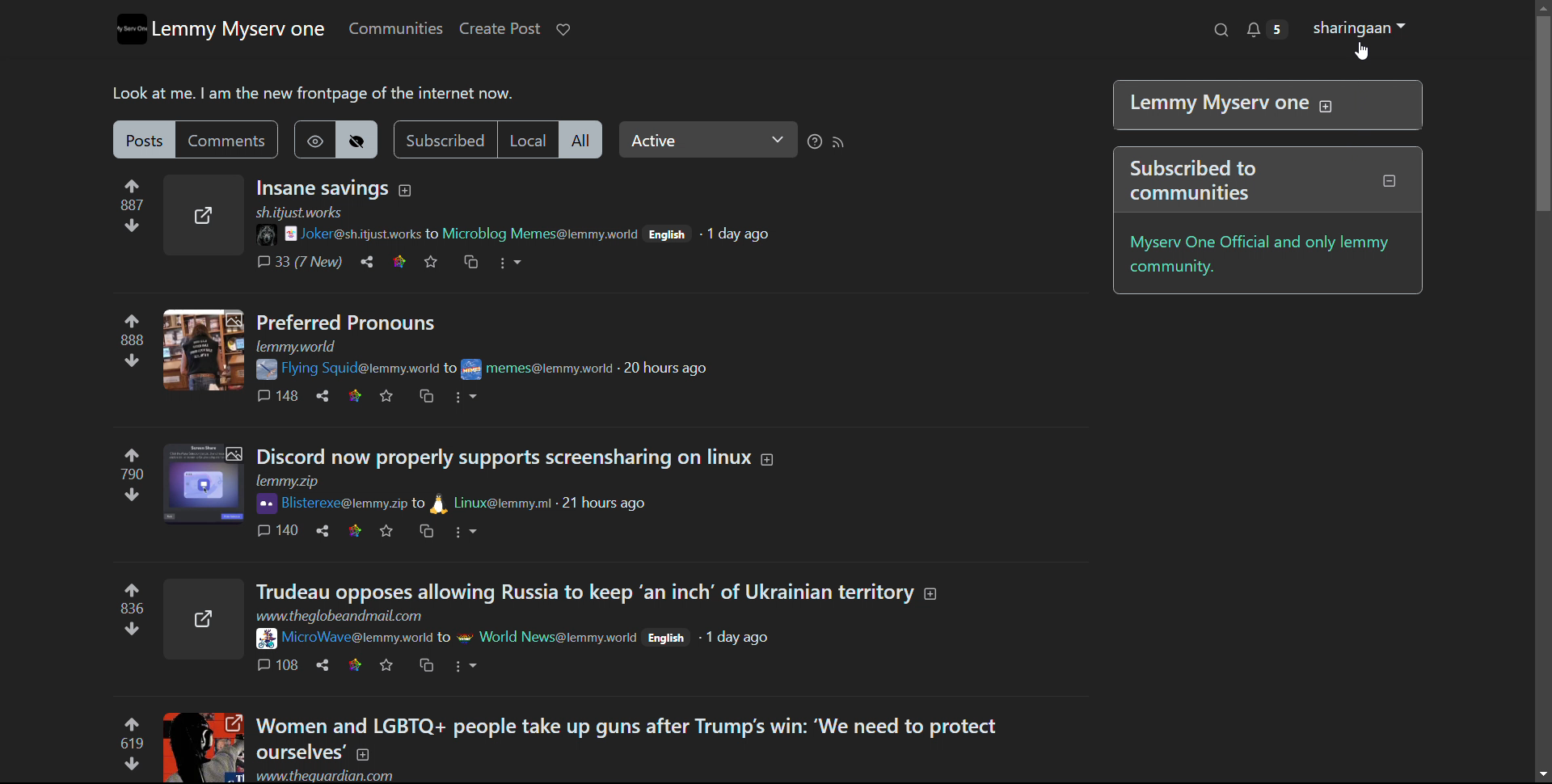 This screenshot has height=784, width=1552. What do you see at coordinates (348, 322) in the screenshot?
I see `Preferred Pronouns` at bounding box center [348, 322].